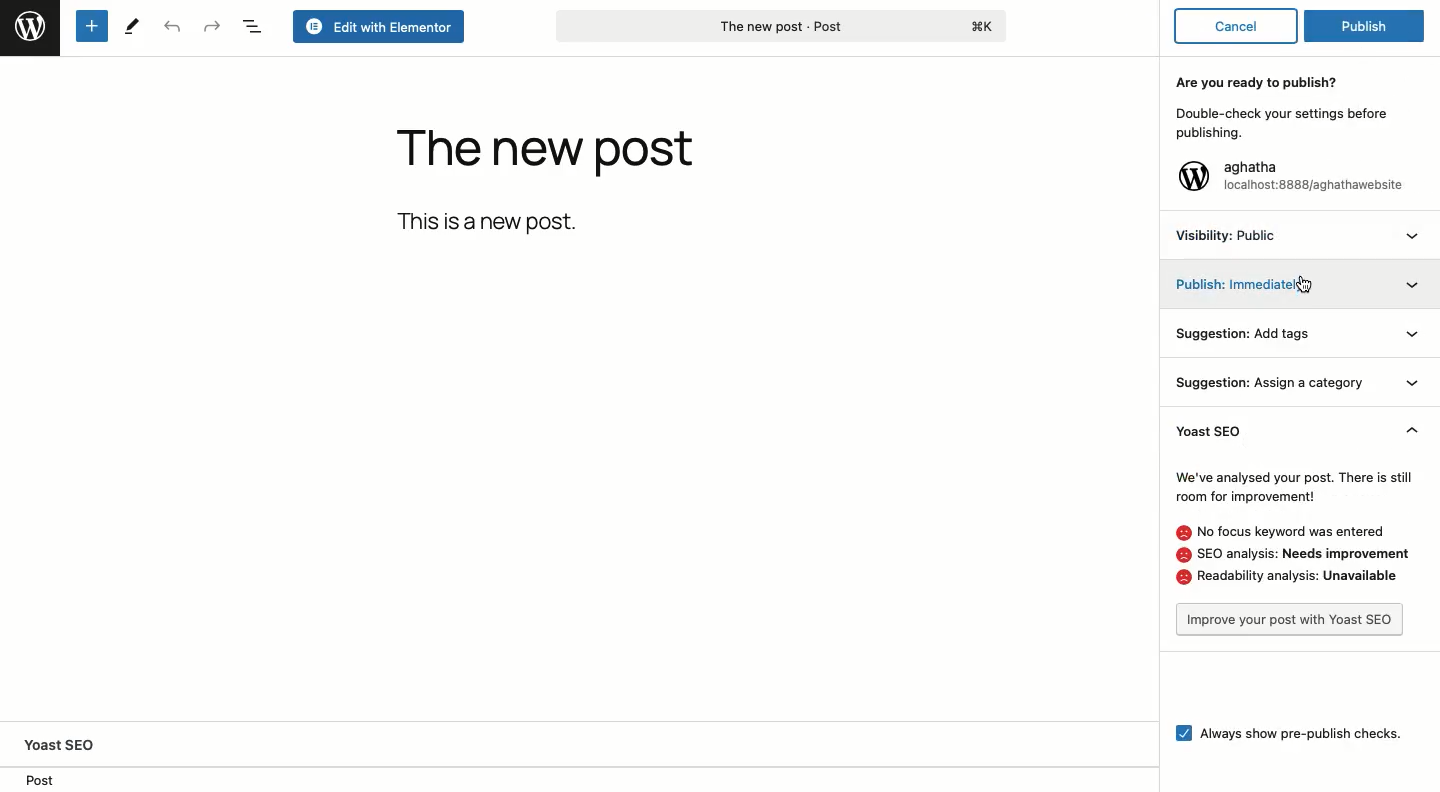  What do you see at coordinates (172, 27) in the screenshot?
I see `Undo` at bounding box center [172, 27].